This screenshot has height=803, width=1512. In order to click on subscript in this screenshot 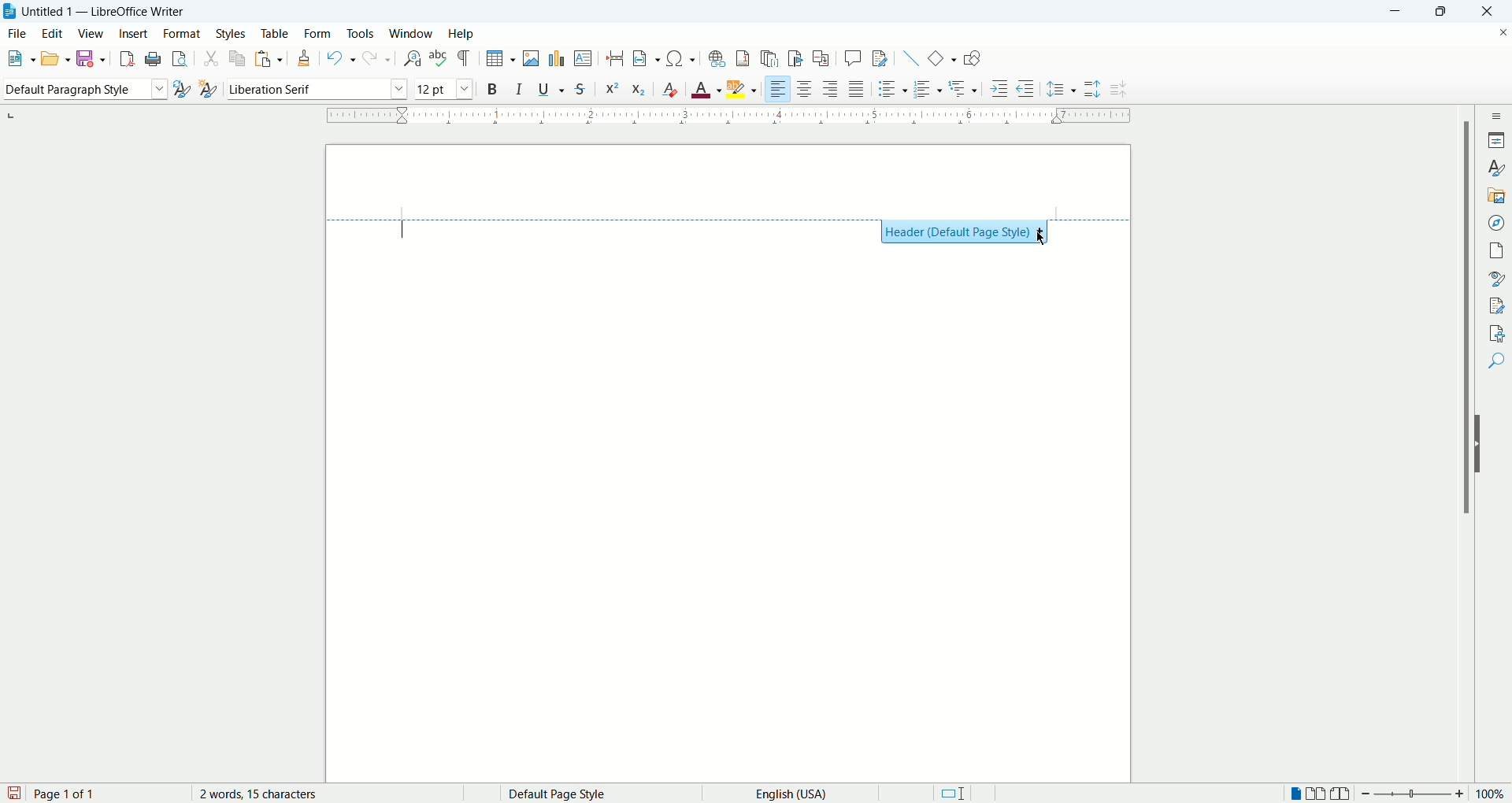, I will do `click(642, 90)`.